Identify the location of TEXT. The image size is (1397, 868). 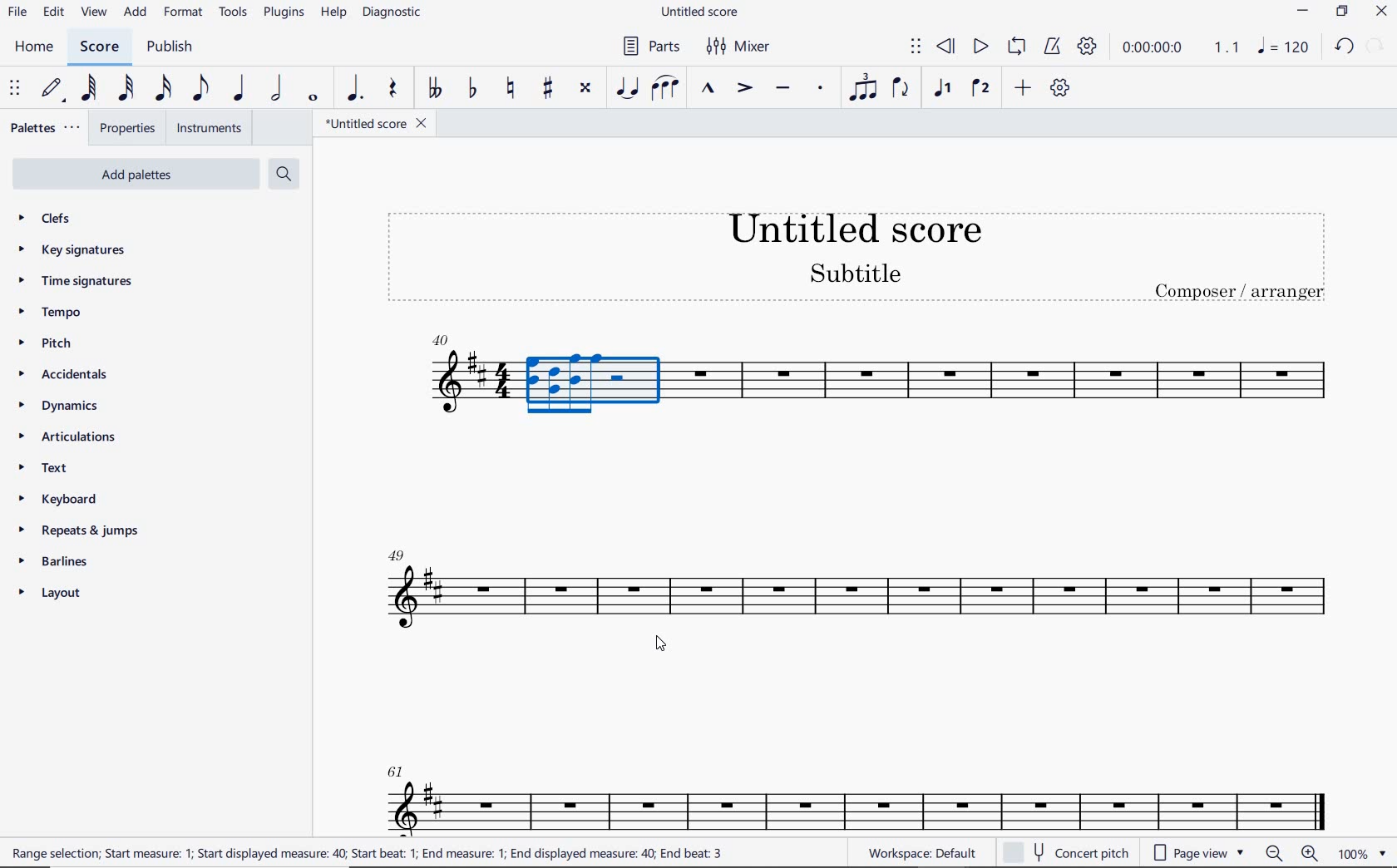
(47, 470).